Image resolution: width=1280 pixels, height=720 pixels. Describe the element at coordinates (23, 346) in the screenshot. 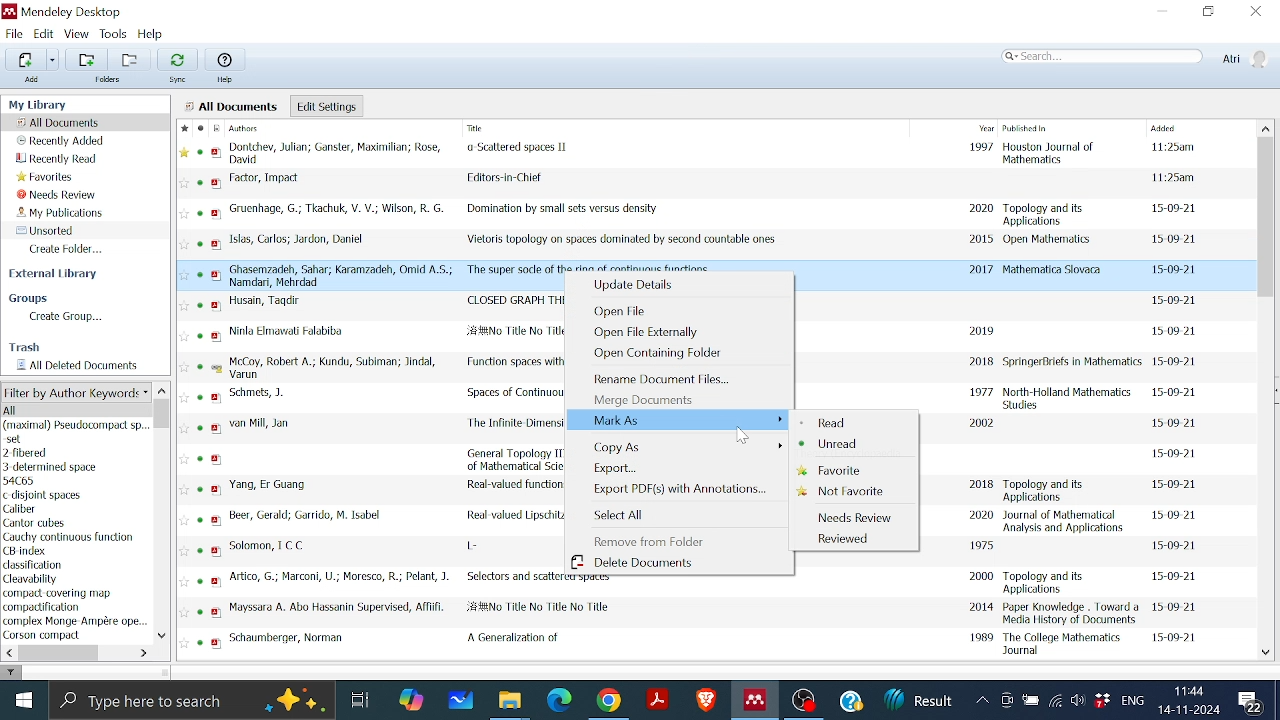

I see `Trash` at that location.